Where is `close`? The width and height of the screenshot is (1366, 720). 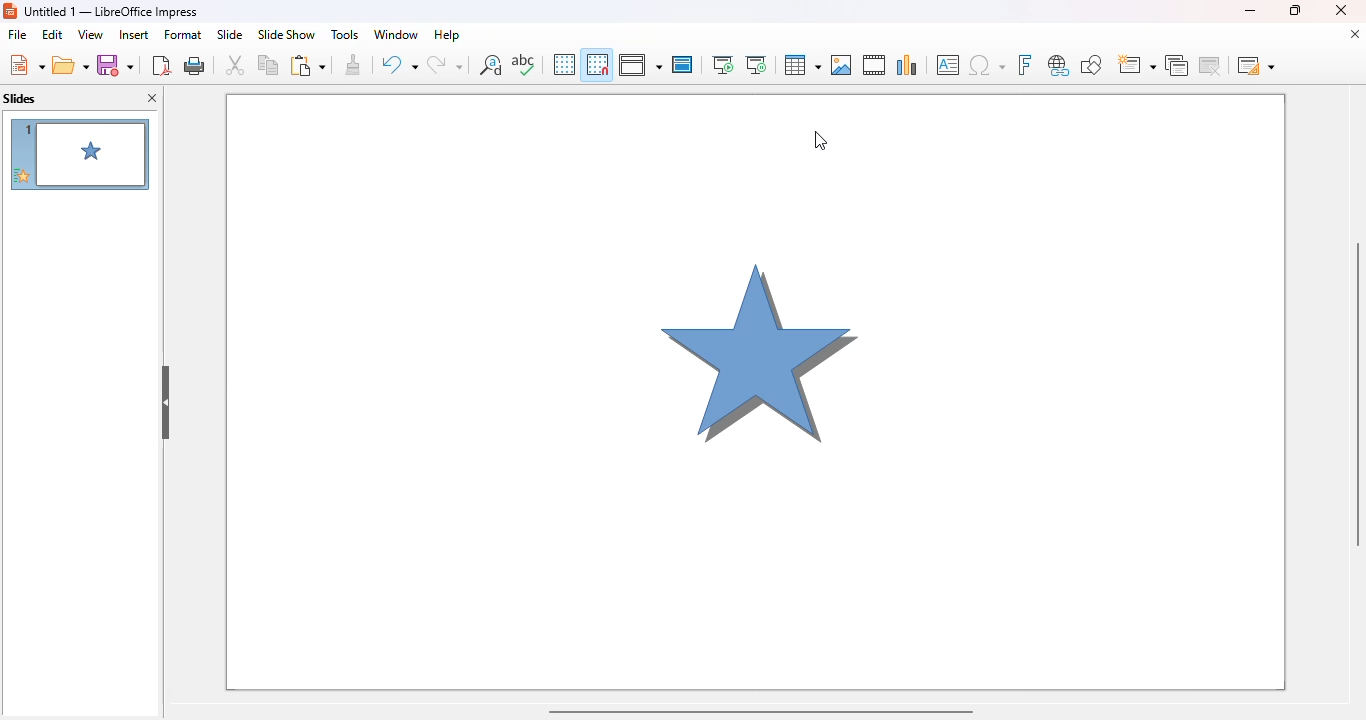
close is located at coordinates (1341, 10).